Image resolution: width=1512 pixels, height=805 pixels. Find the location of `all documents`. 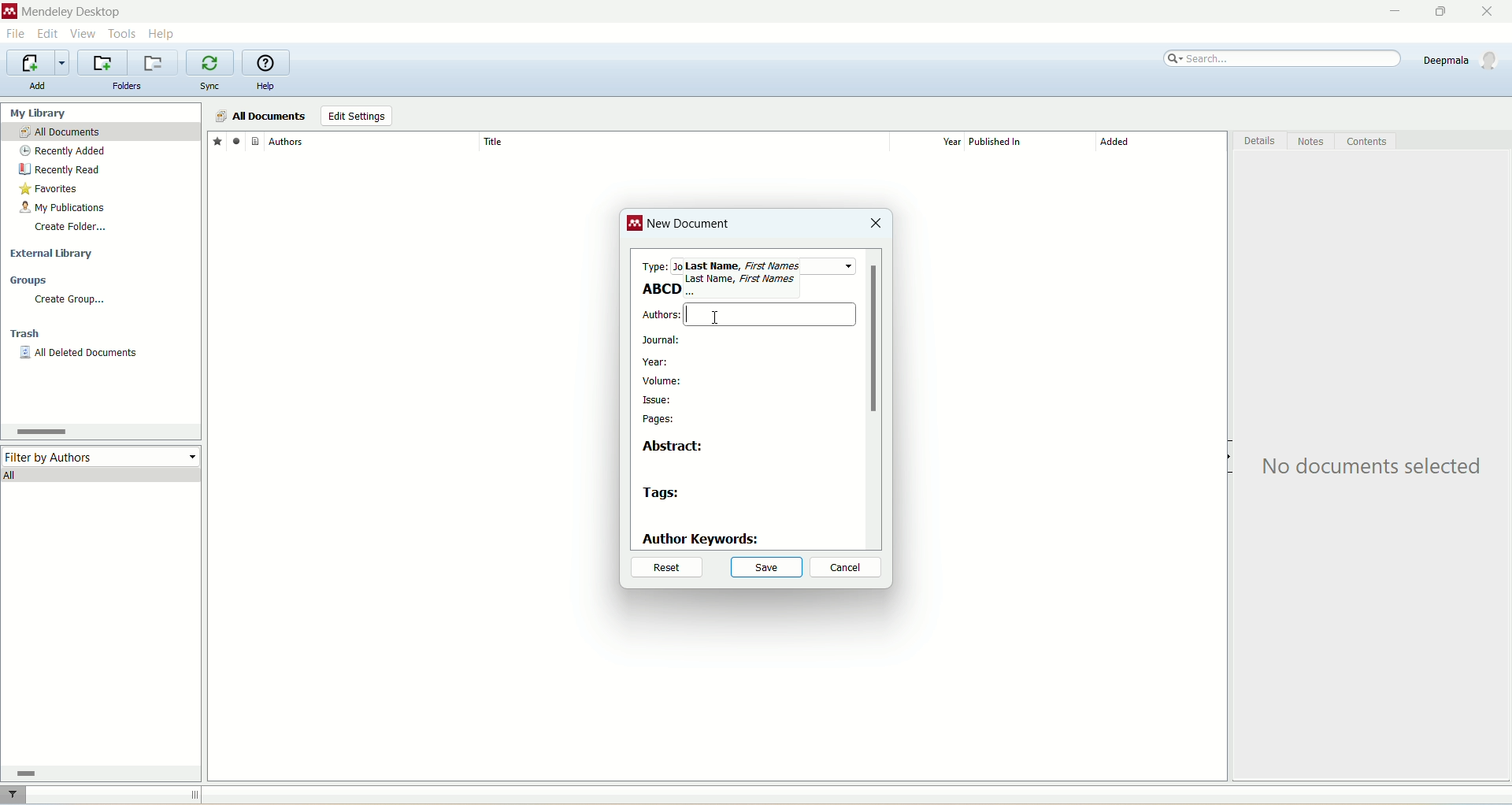

all documents is located at coordinates (260, 117).